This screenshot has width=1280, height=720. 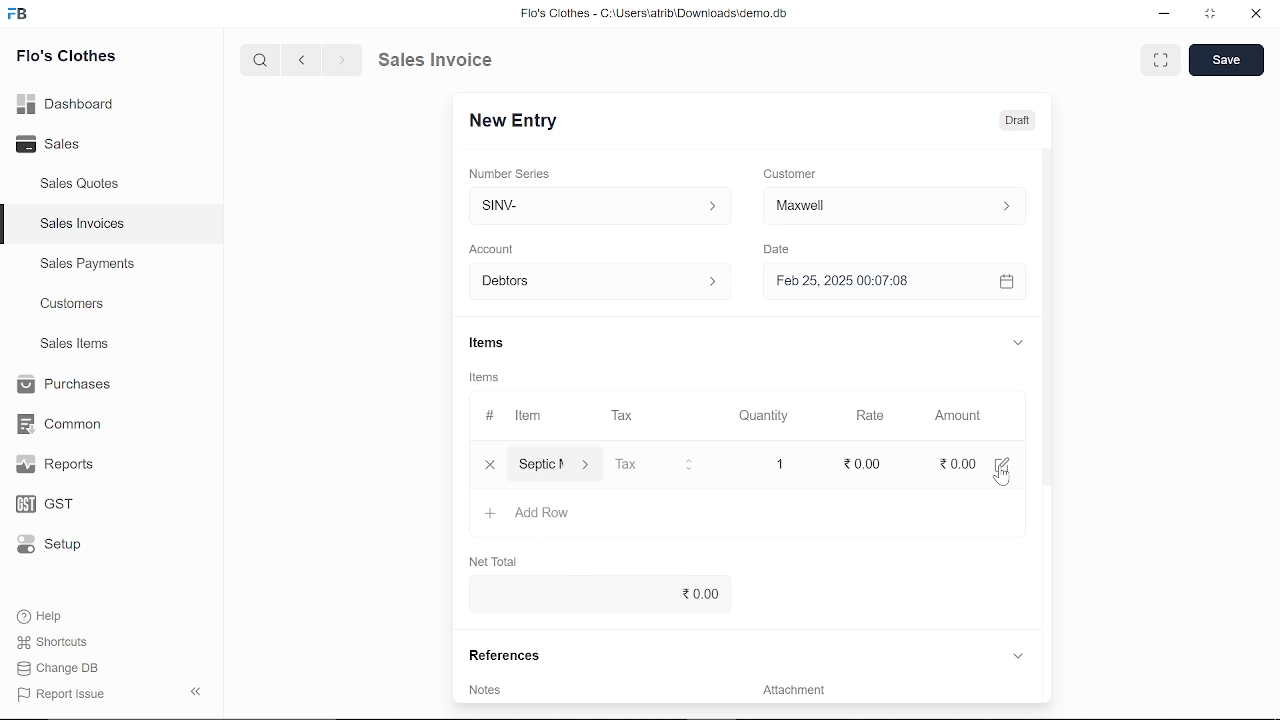 I want to click on Draft, so click(x=1021, y=118).